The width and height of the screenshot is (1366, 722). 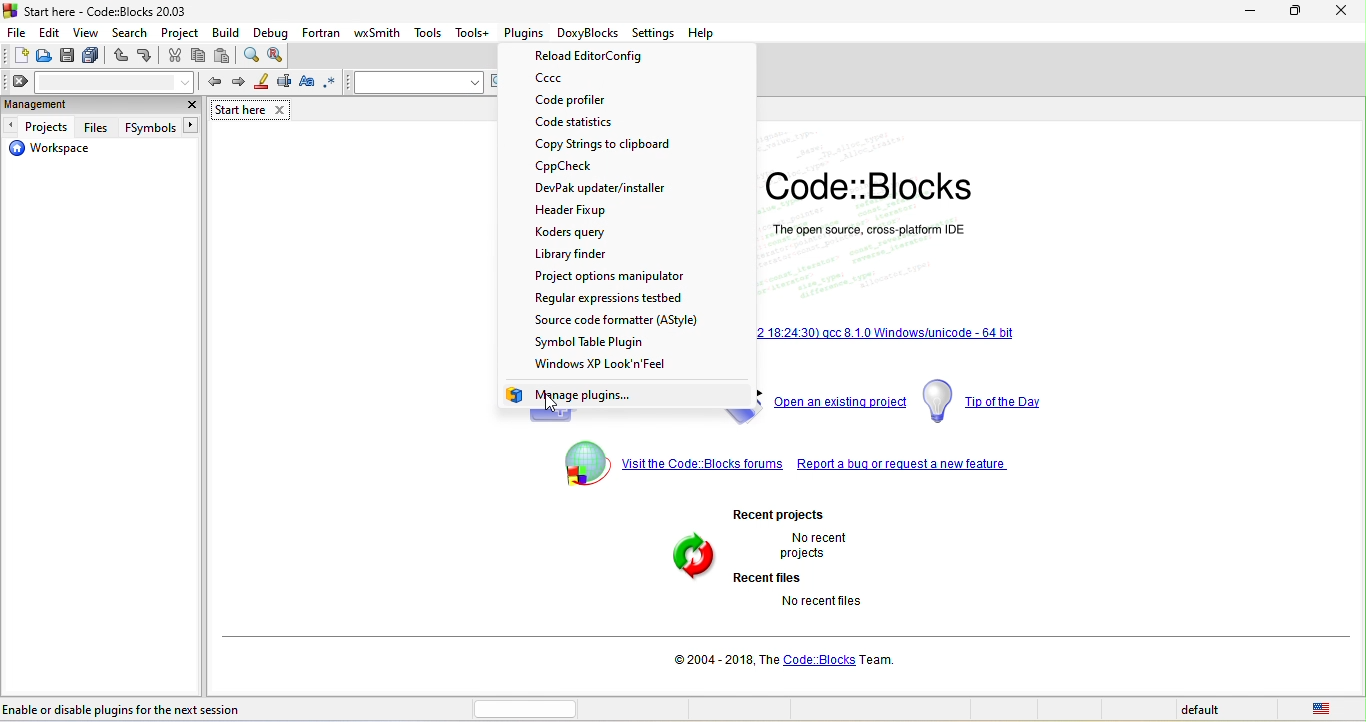 I want to click on close, so click(x=190, y=104).